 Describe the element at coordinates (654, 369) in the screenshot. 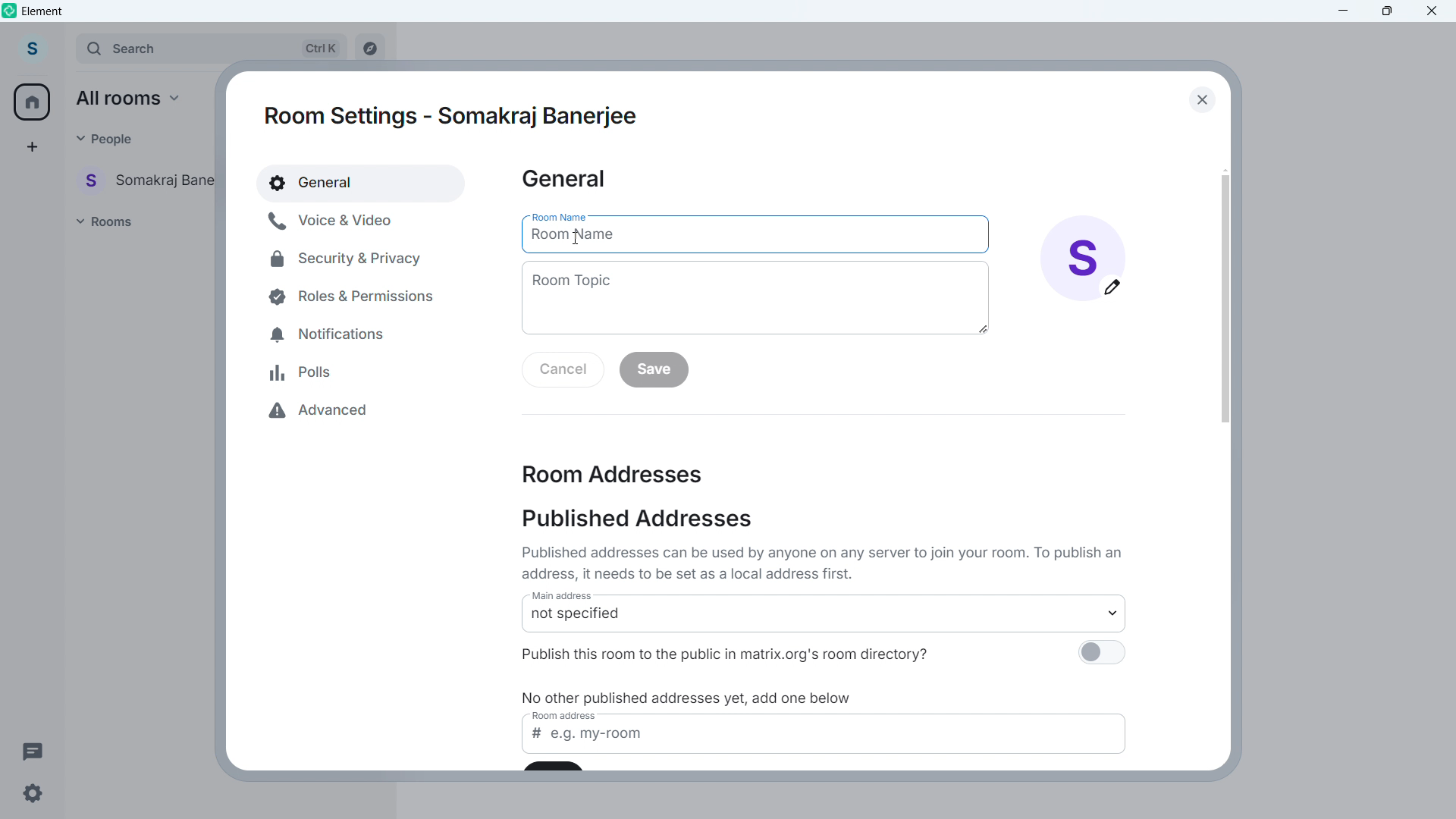

I see `save ` at that location.